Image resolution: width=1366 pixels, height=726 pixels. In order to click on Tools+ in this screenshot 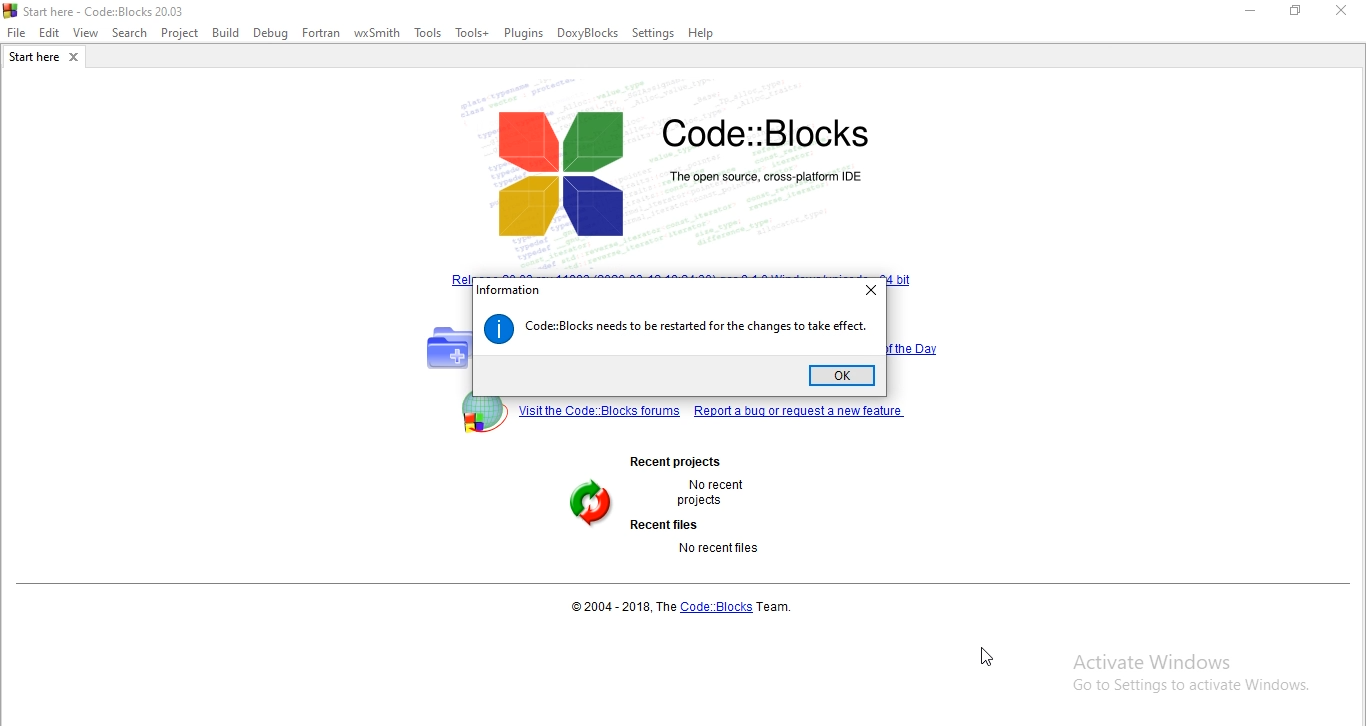, I will do `click(473, 34)`.